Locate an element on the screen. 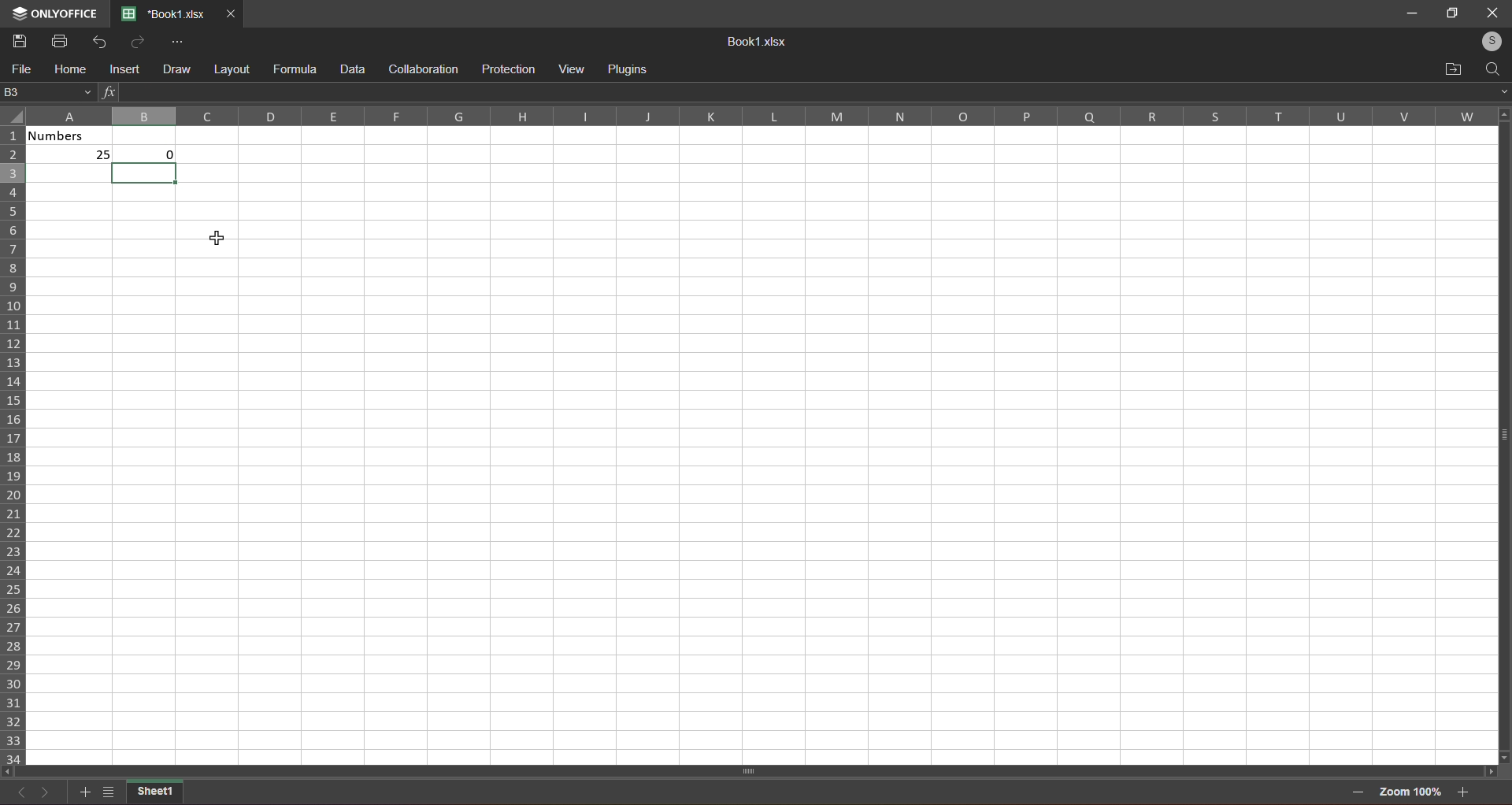 The image size is (1512, 805). list of sheet is located at coordinates (106, 795).